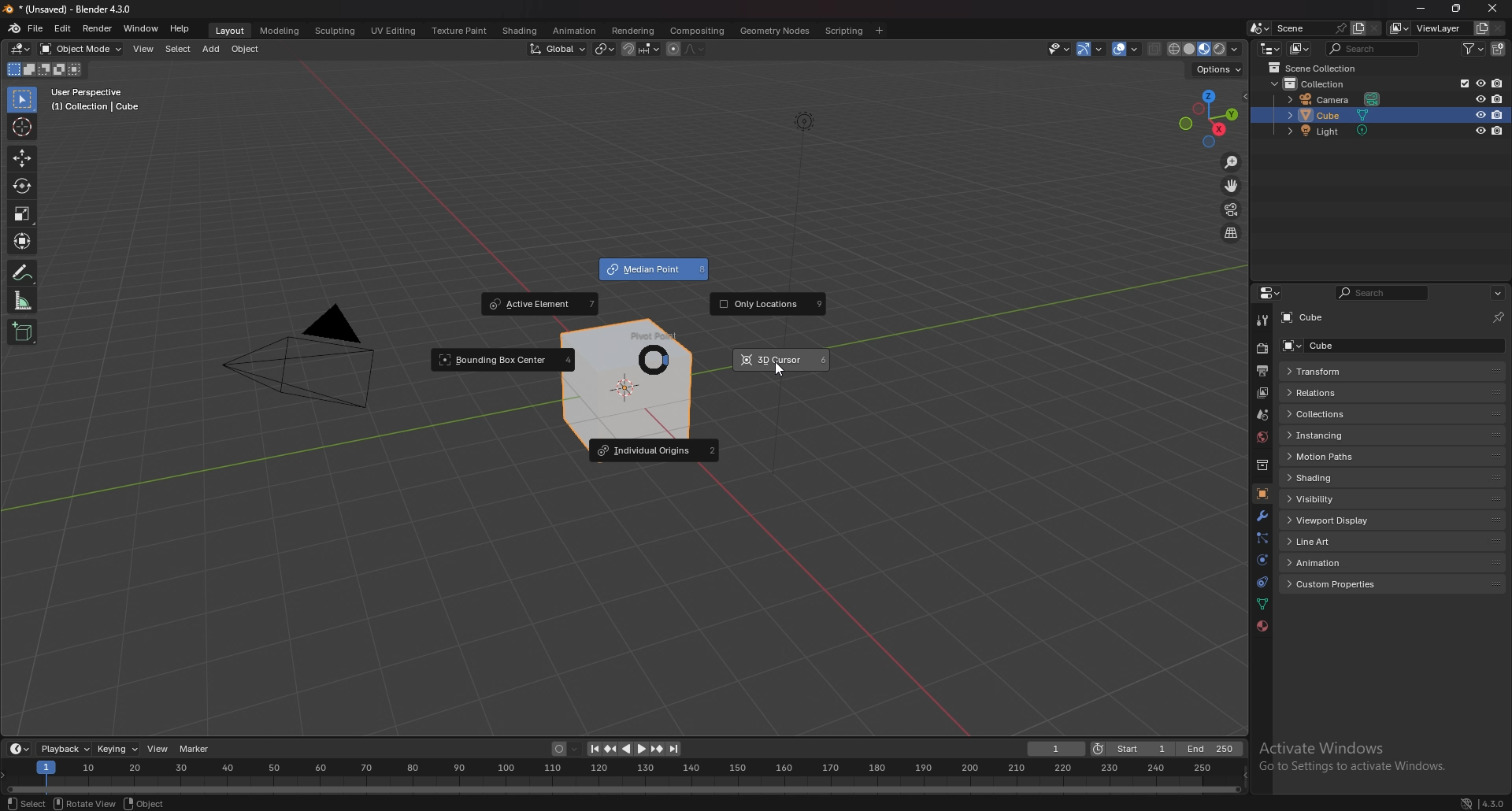 Image resolution: width=1512 pixels, height=811 pixels. Describe the element at coordinates (21, 158) in the screenshot. I see `move` at that location.